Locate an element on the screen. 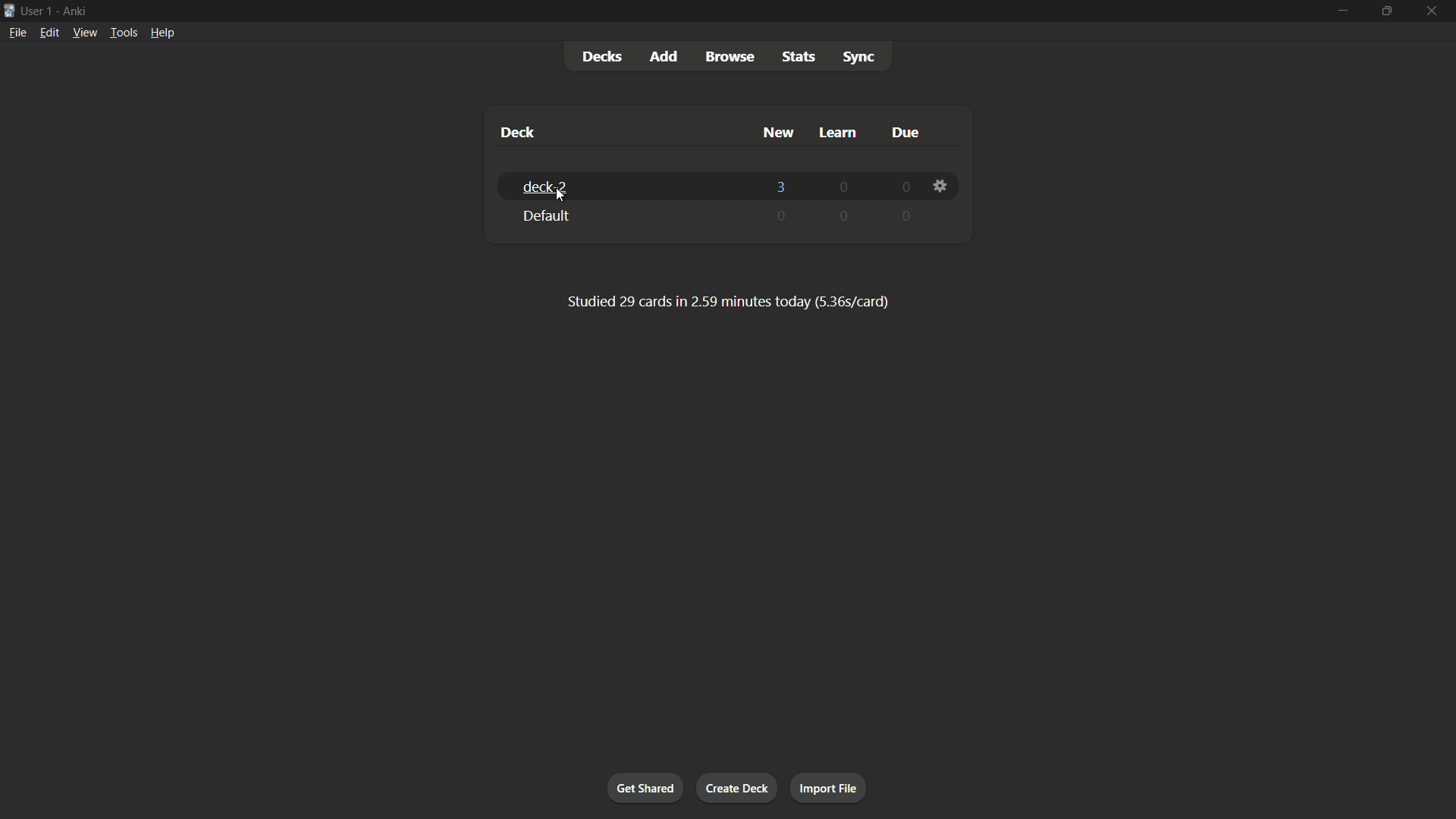  stats is located at coordinates (798, 56).